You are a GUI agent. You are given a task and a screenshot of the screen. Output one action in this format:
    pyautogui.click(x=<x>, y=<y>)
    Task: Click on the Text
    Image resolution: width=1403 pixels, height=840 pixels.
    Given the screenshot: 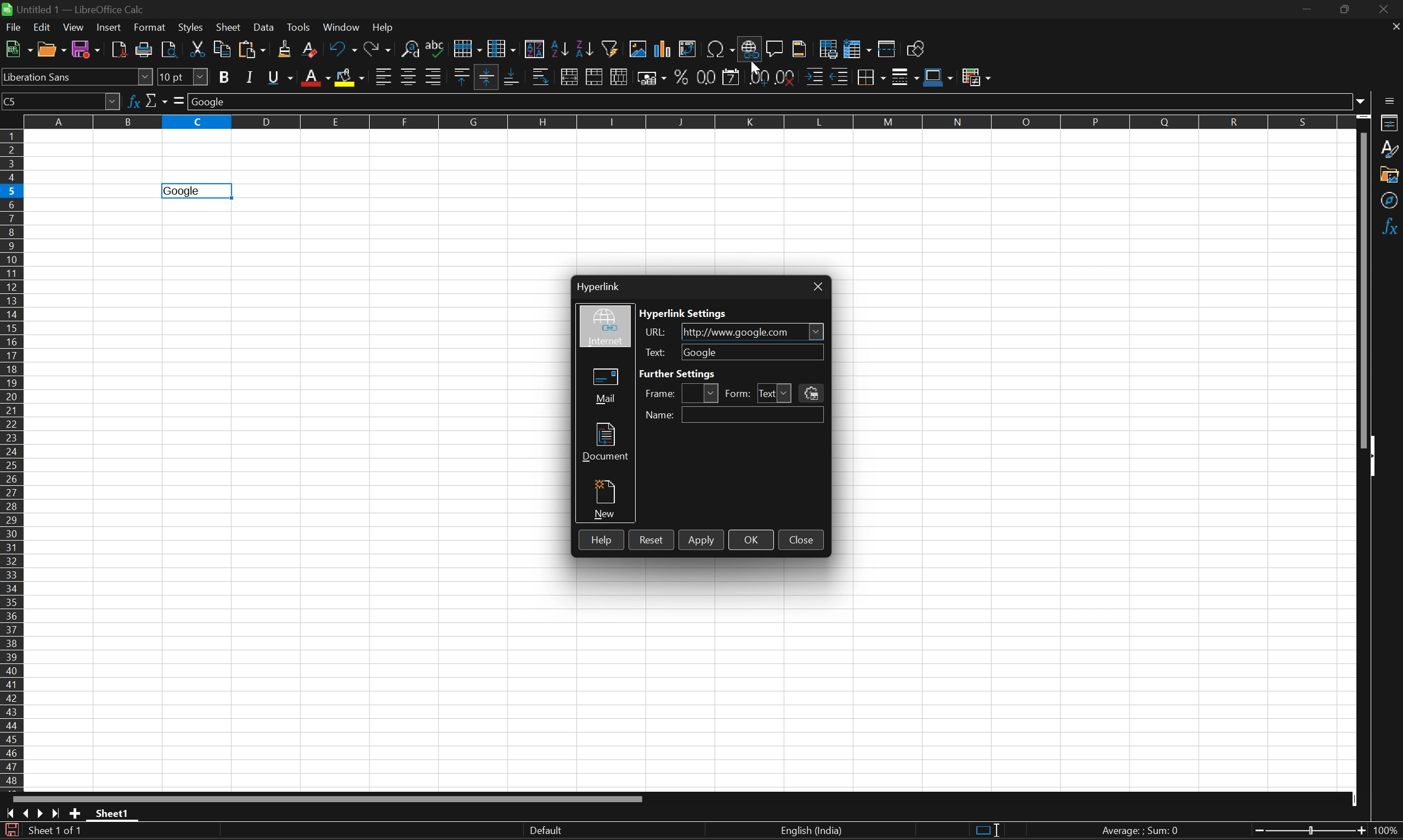 What is the action you would take?
    pyautogui.click(x=766, y=390)
    